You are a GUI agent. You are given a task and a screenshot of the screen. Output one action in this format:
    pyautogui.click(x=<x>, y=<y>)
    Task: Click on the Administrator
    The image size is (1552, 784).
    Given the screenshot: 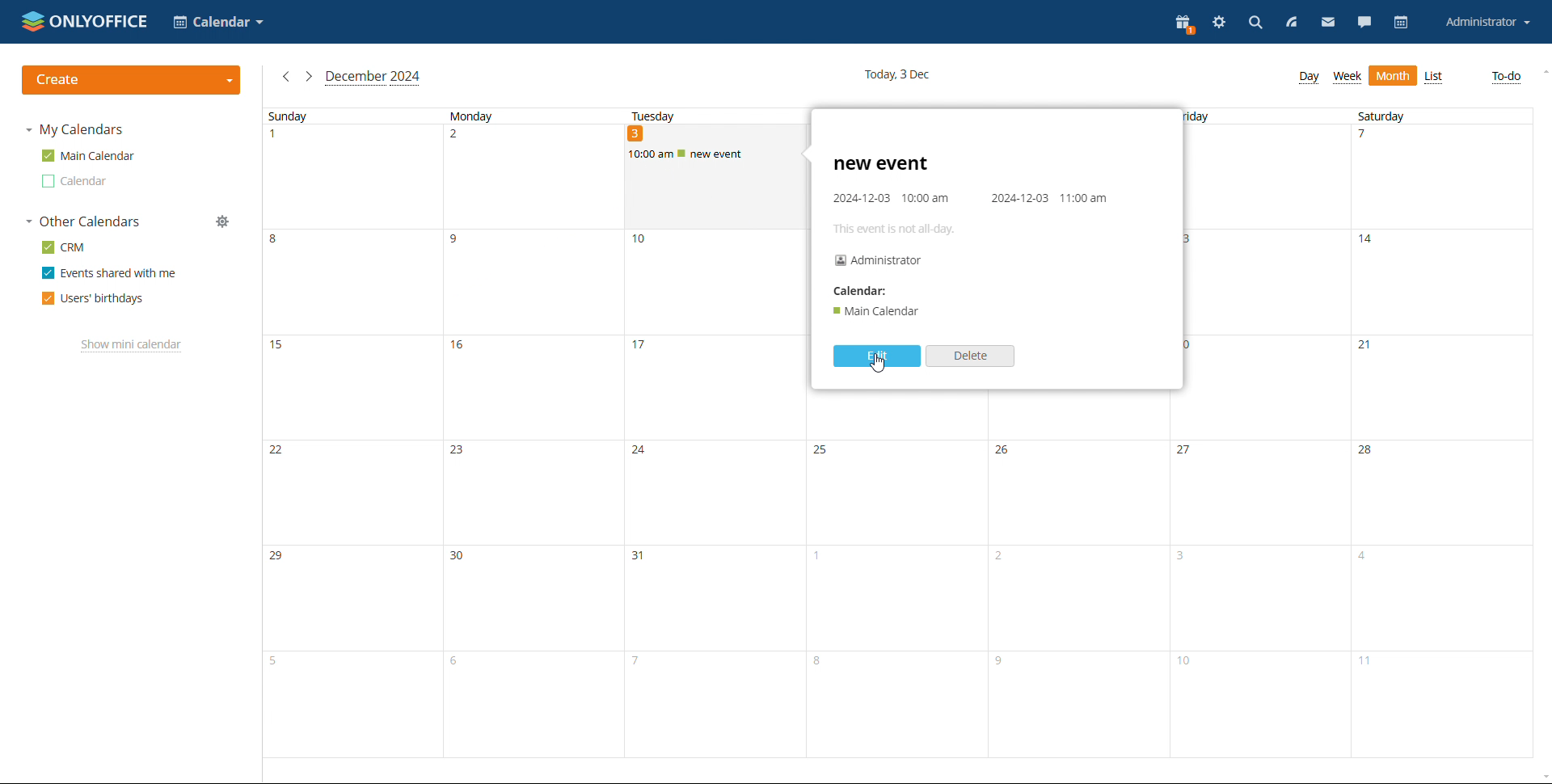 What is the action you would take?
    pyautogui.click(x=881, y=258)
    